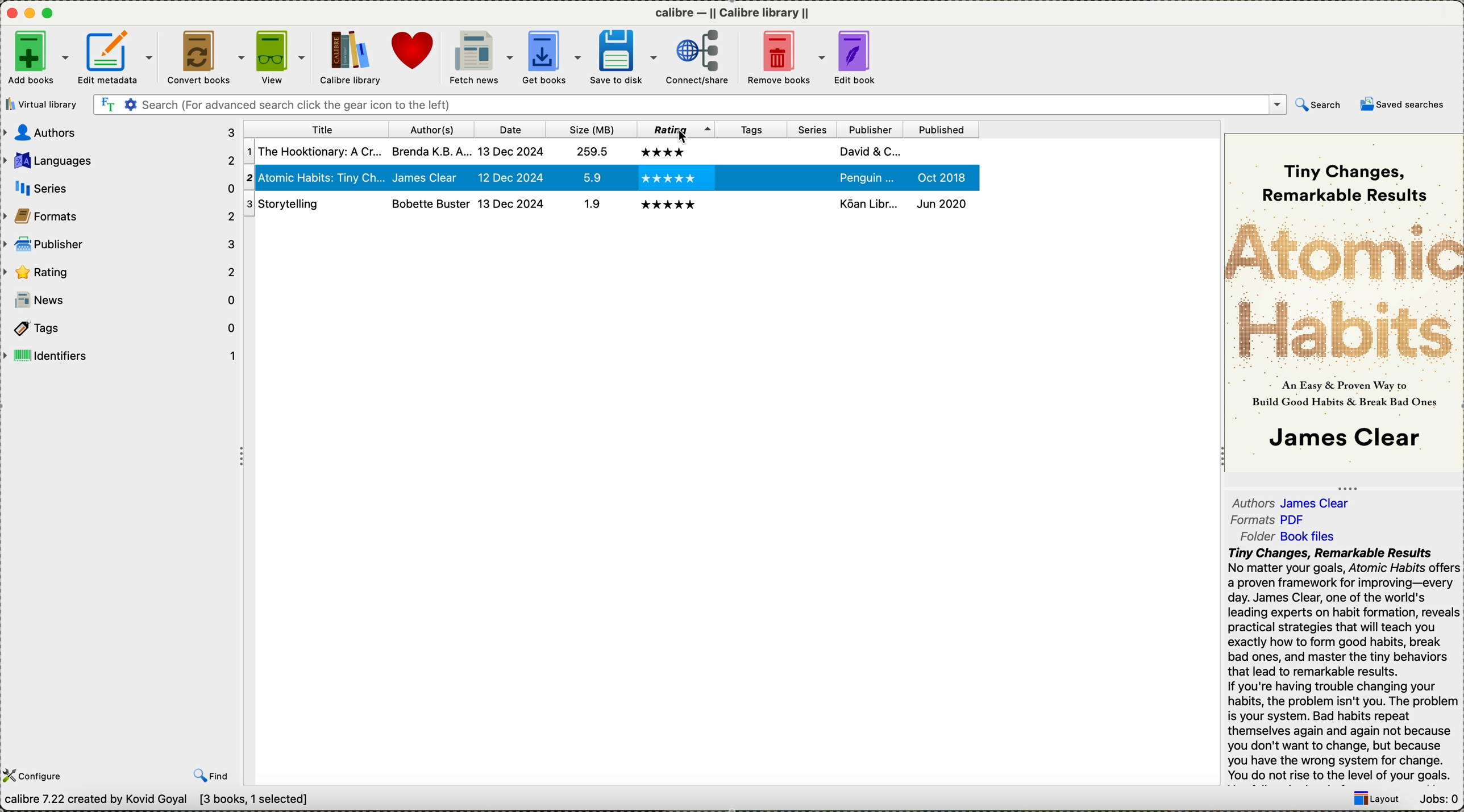 This screenshot has width=1464, height=812. I want to click on authors, so click(432, 128).